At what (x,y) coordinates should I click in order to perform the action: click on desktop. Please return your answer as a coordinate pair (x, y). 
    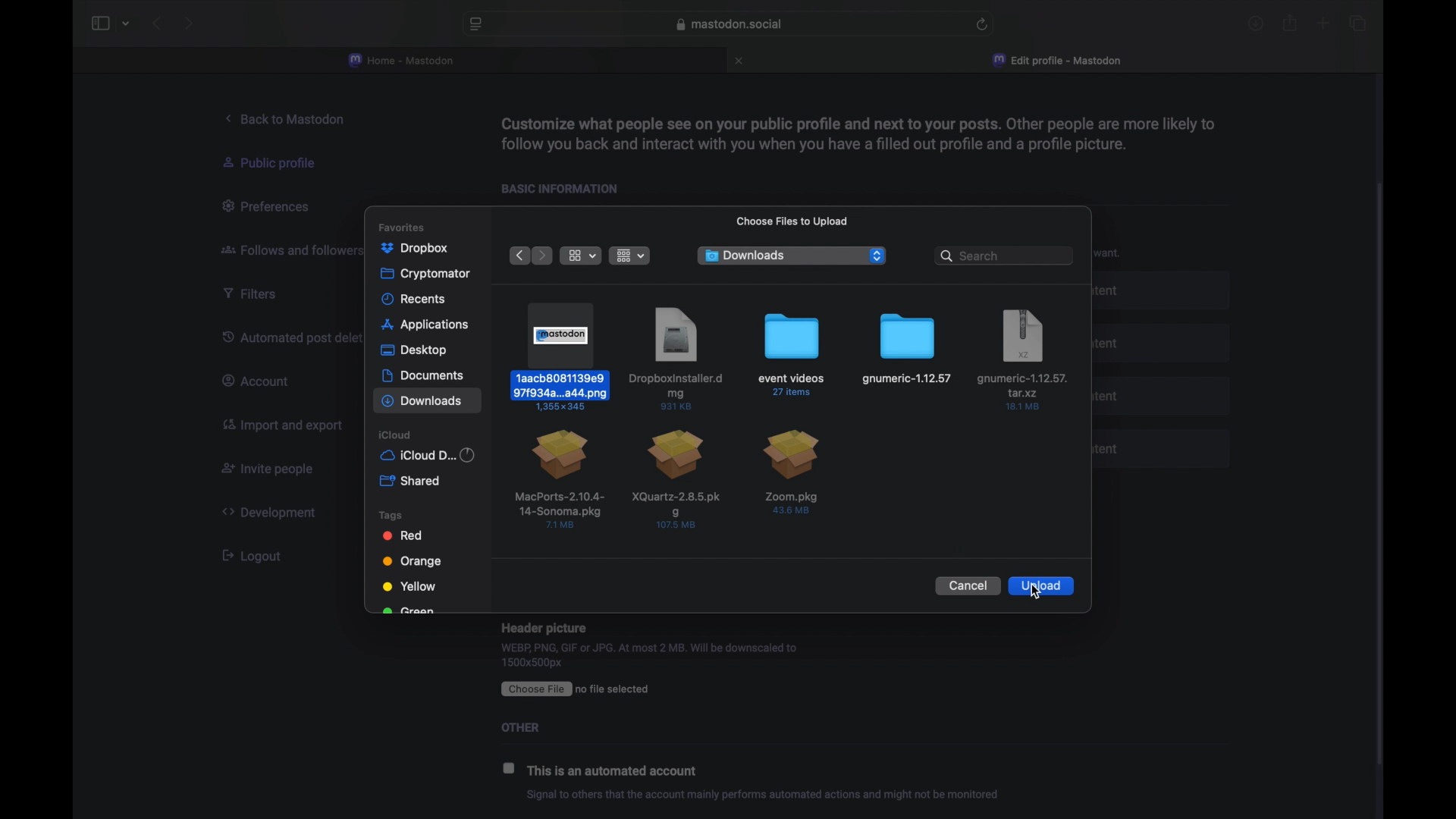
    Looking at the image, I should click on (414, 350).